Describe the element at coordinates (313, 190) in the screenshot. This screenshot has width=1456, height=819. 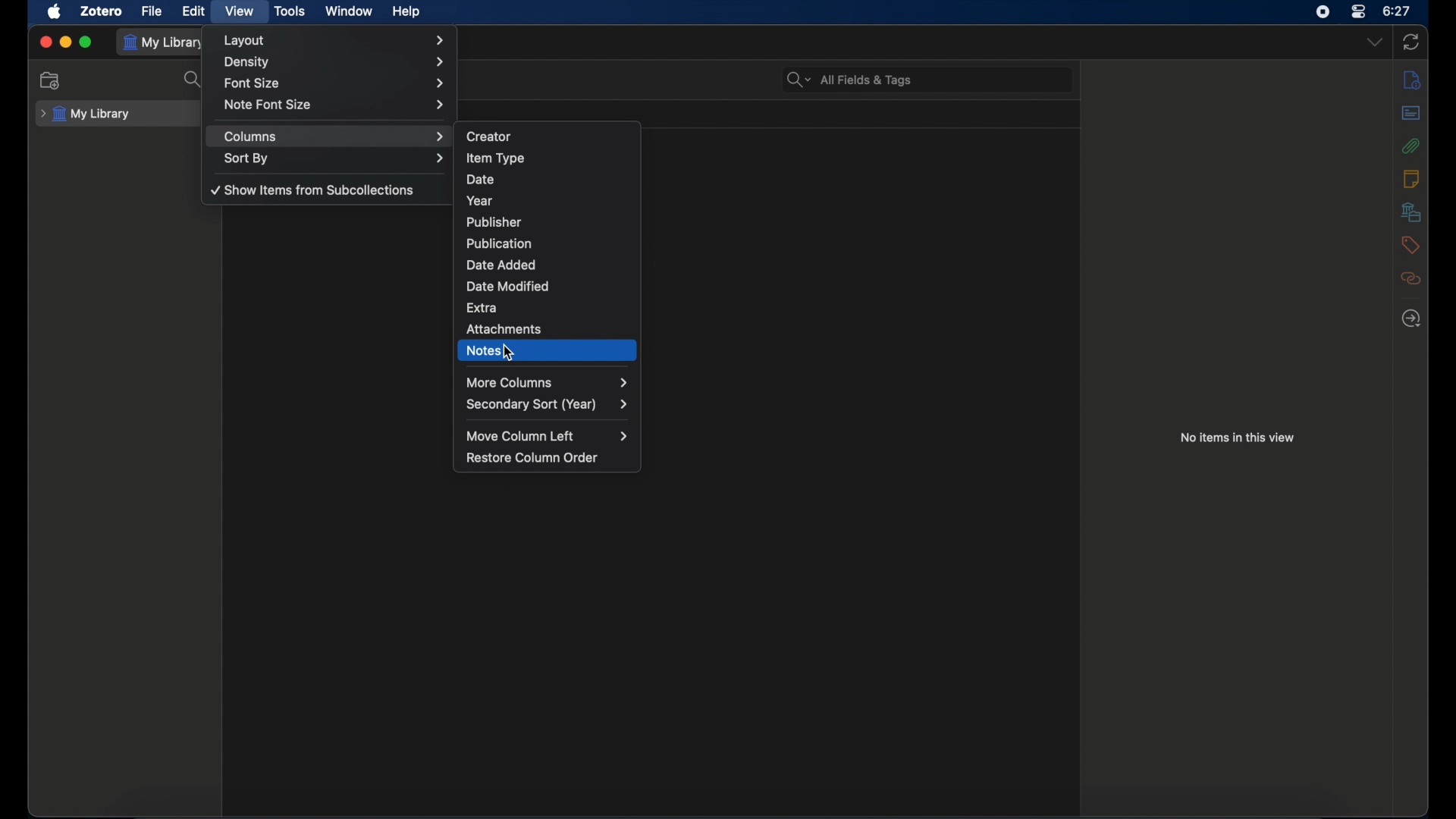
I see `show items from sub collections` at that location.